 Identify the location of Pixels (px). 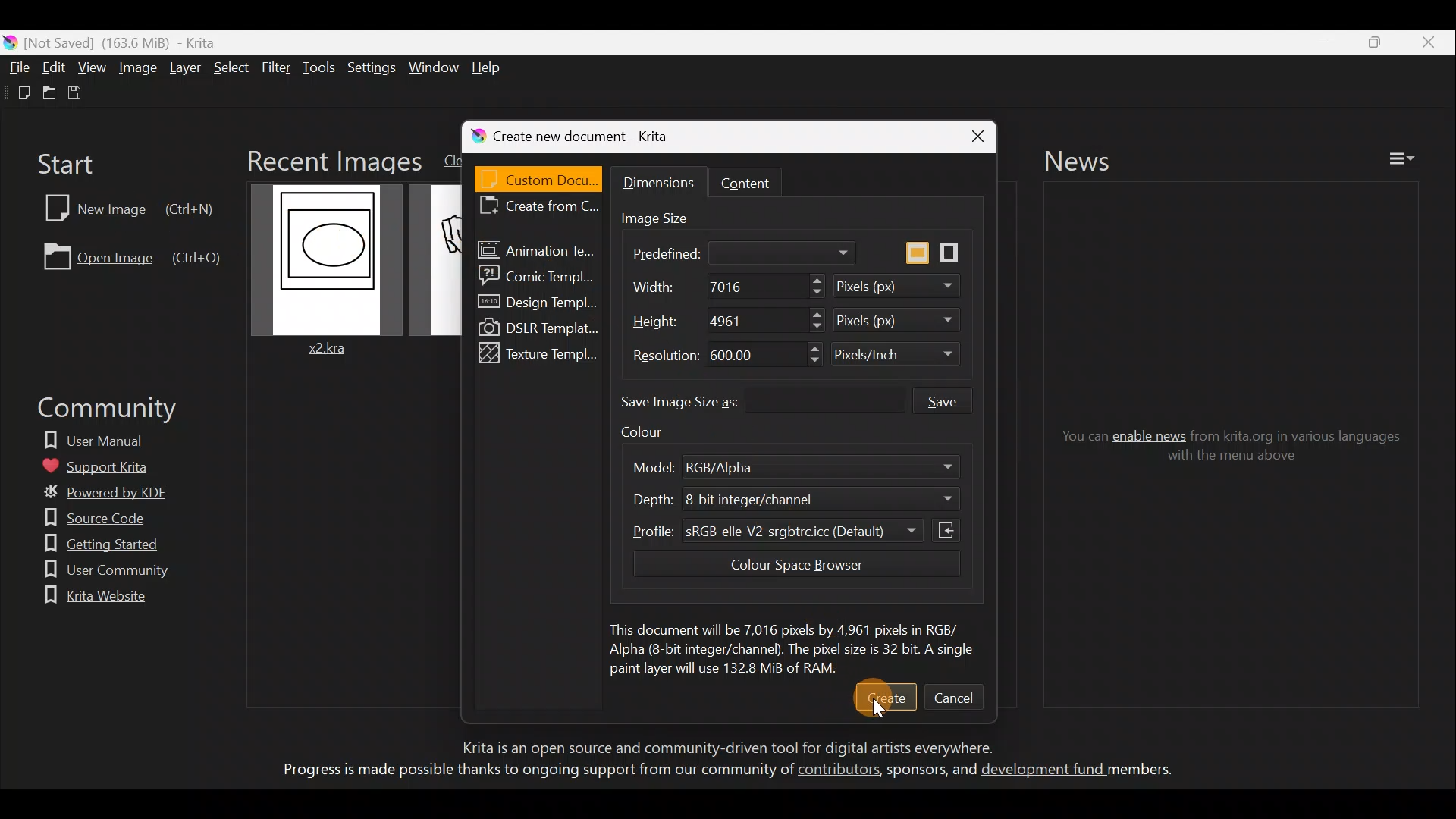
(905, 286).